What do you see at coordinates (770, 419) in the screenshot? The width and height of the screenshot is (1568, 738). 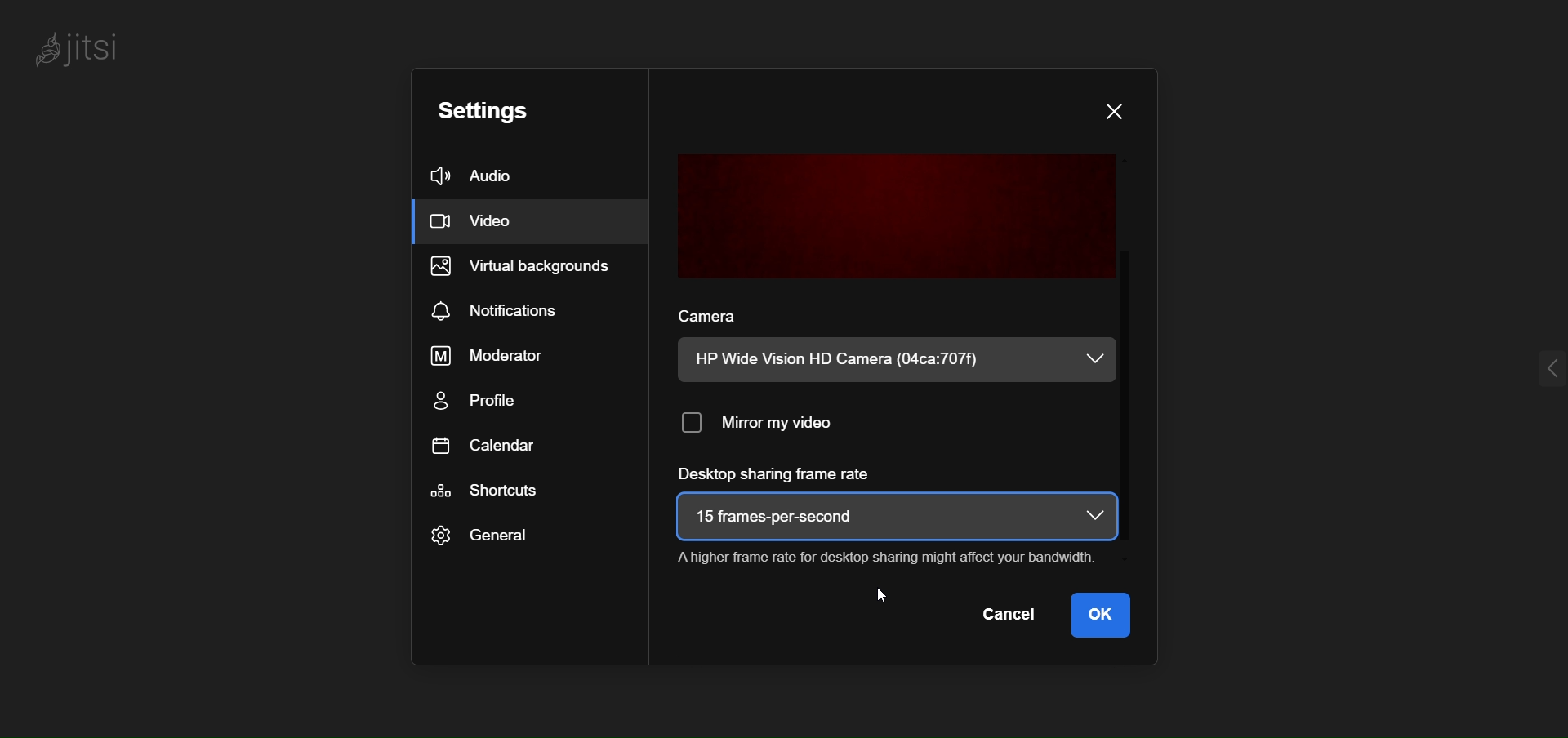 I see `mirror my video` at bounding box center [770, 419].